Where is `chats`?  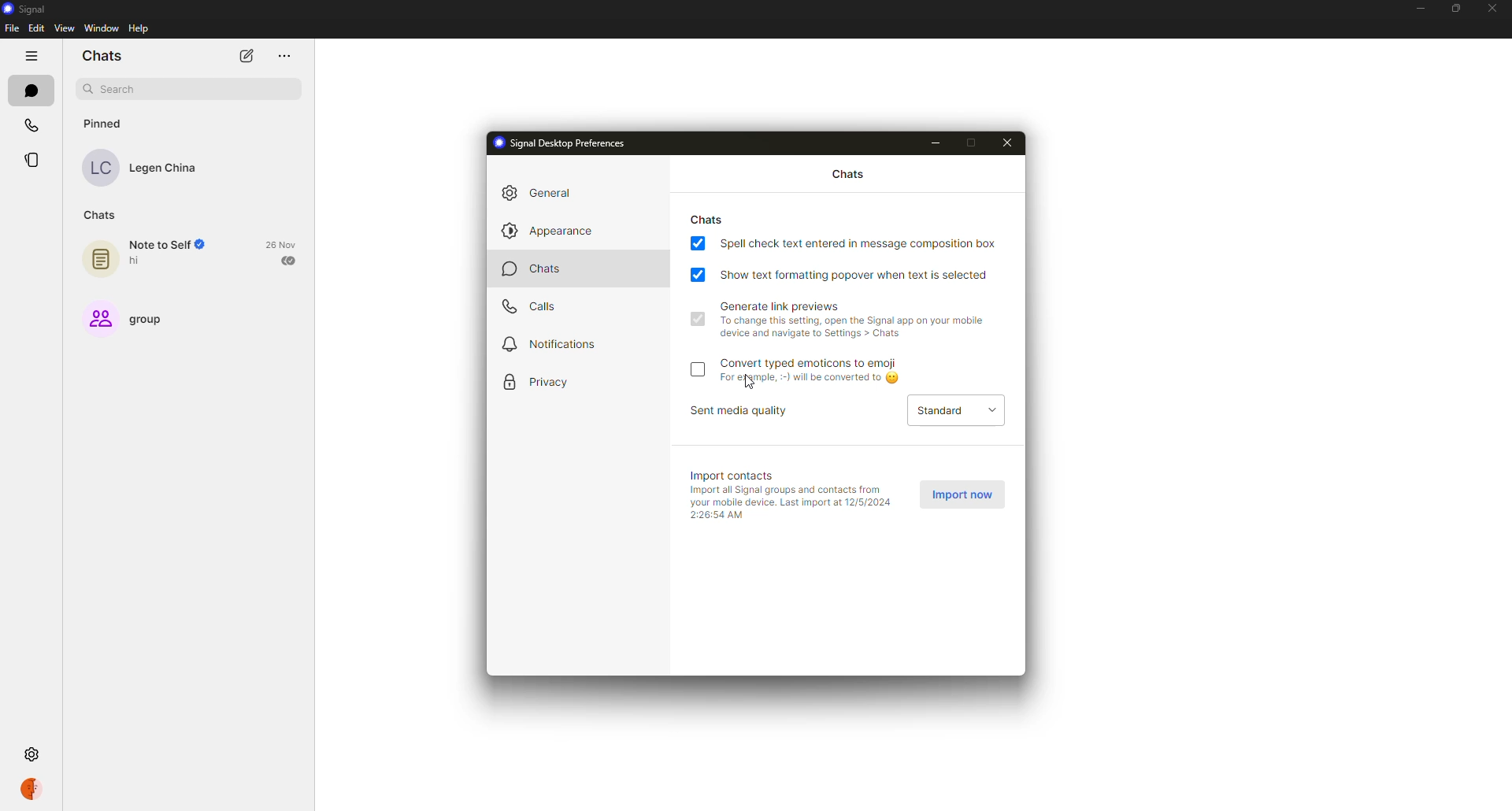 chats is located at coordinates (848, 175).